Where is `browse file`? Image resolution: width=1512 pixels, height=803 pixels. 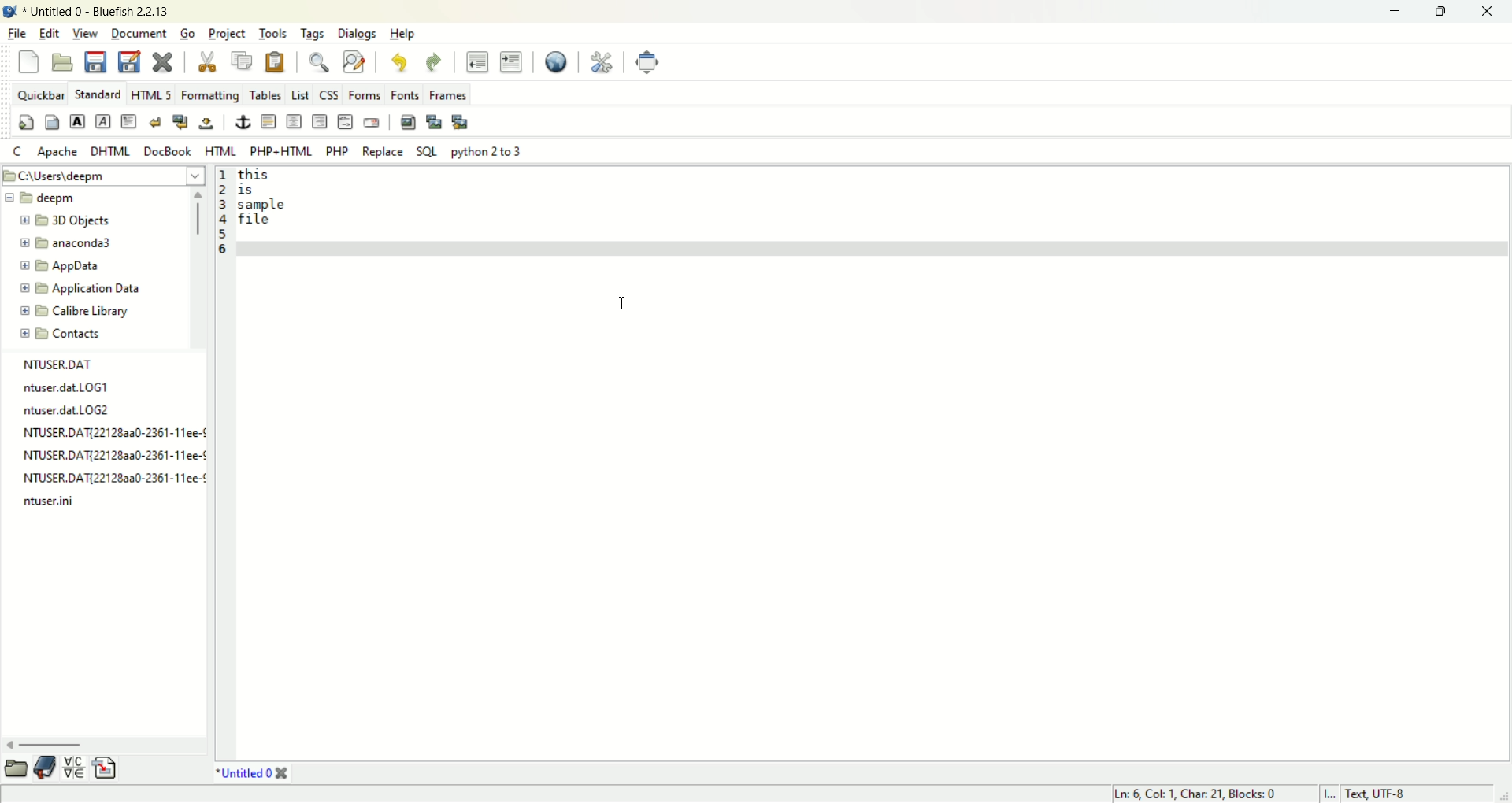 browse file is located at coordinates (15, 772).